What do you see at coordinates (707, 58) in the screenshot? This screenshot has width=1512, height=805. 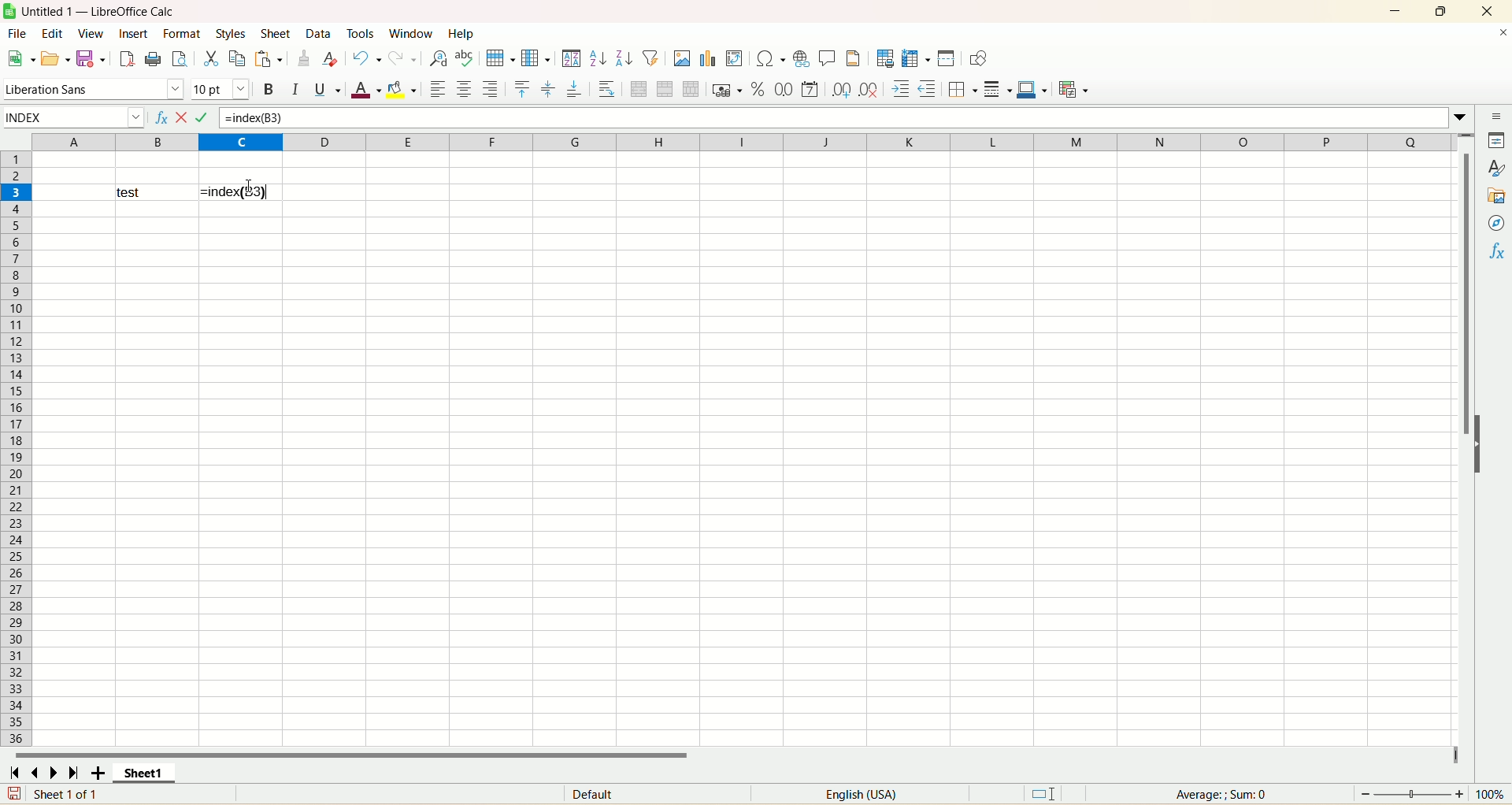 I see `insert chart` at bounding box center [707, 58].